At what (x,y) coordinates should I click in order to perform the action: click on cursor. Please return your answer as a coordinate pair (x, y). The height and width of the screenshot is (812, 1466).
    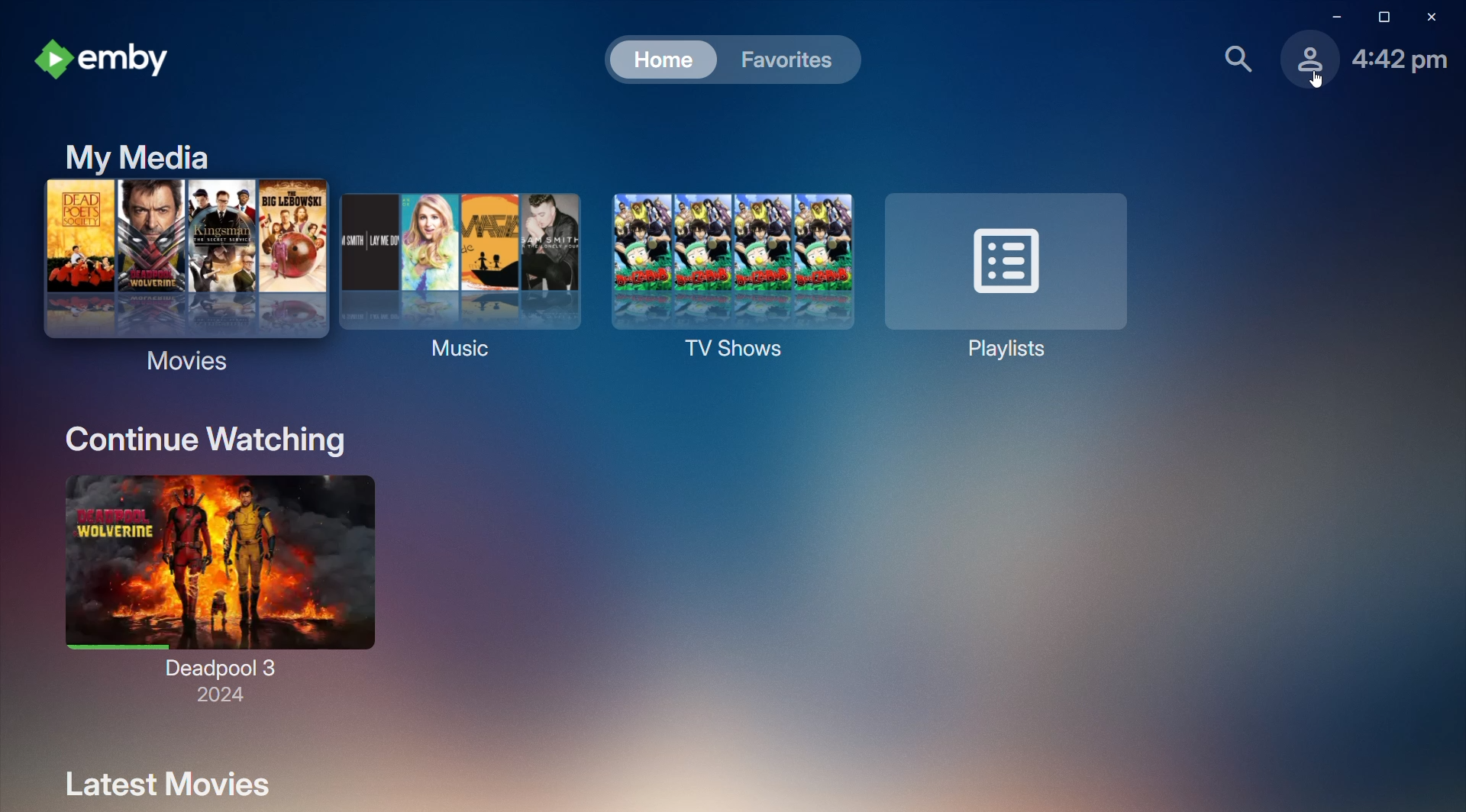
    Looking at the image, I should click on (1323, 85).